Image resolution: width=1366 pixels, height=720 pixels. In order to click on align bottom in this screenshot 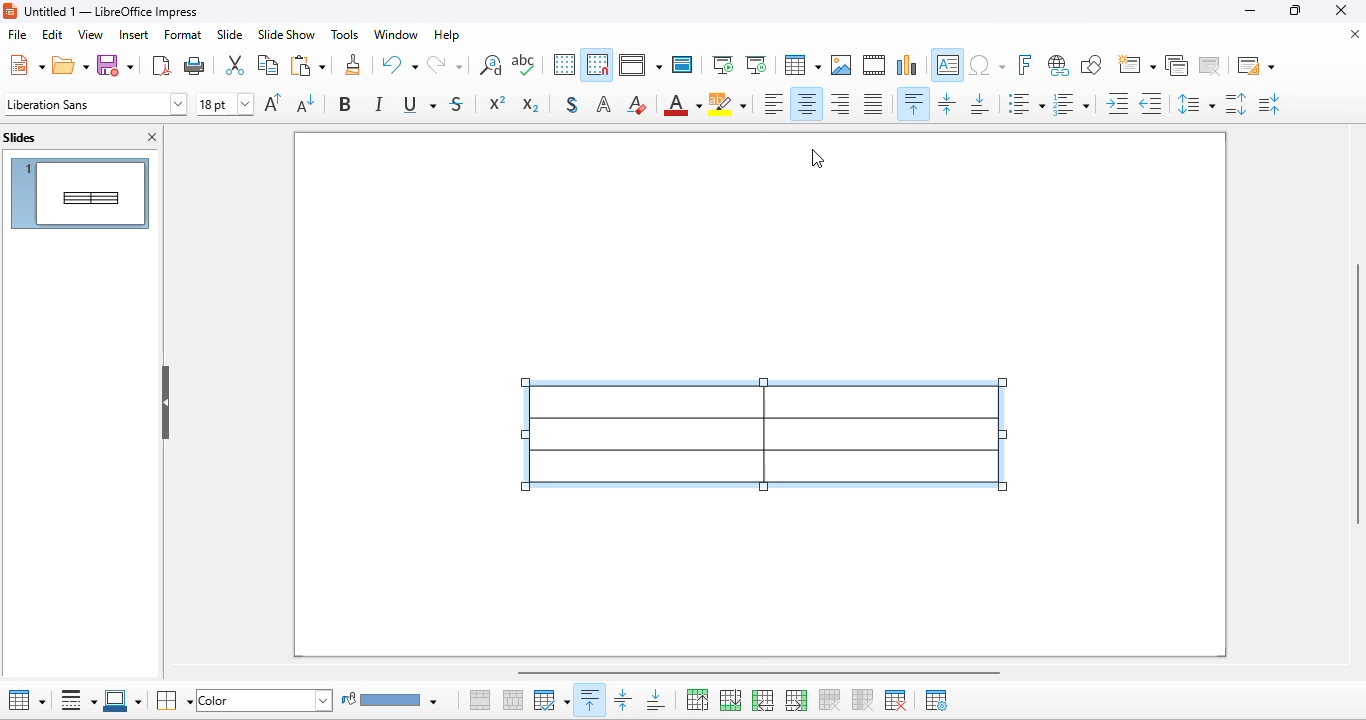, I will do `click(979, 103)`.